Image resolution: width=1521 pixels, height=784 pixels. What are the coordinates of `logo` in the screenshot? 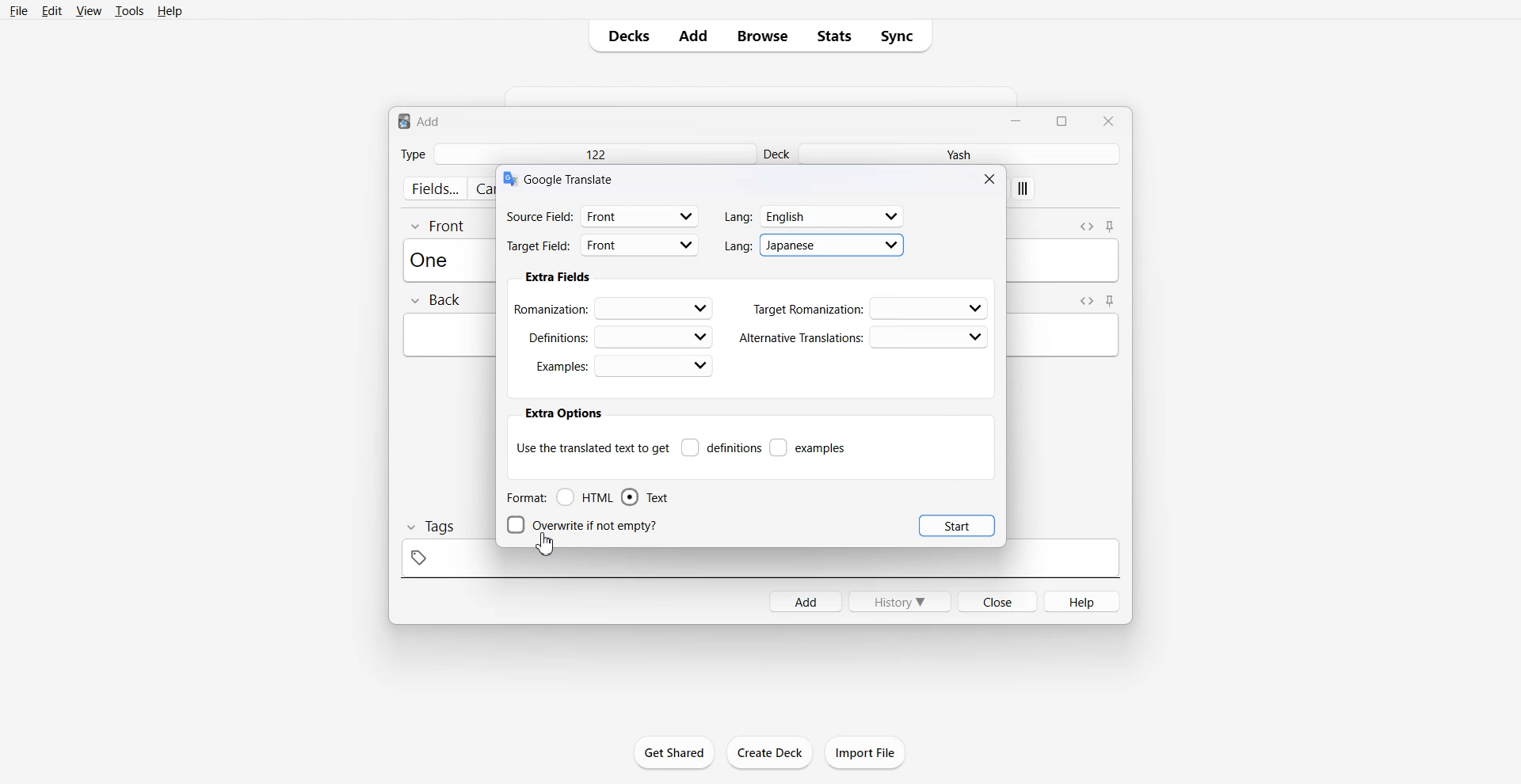 It's located at (509, 179).